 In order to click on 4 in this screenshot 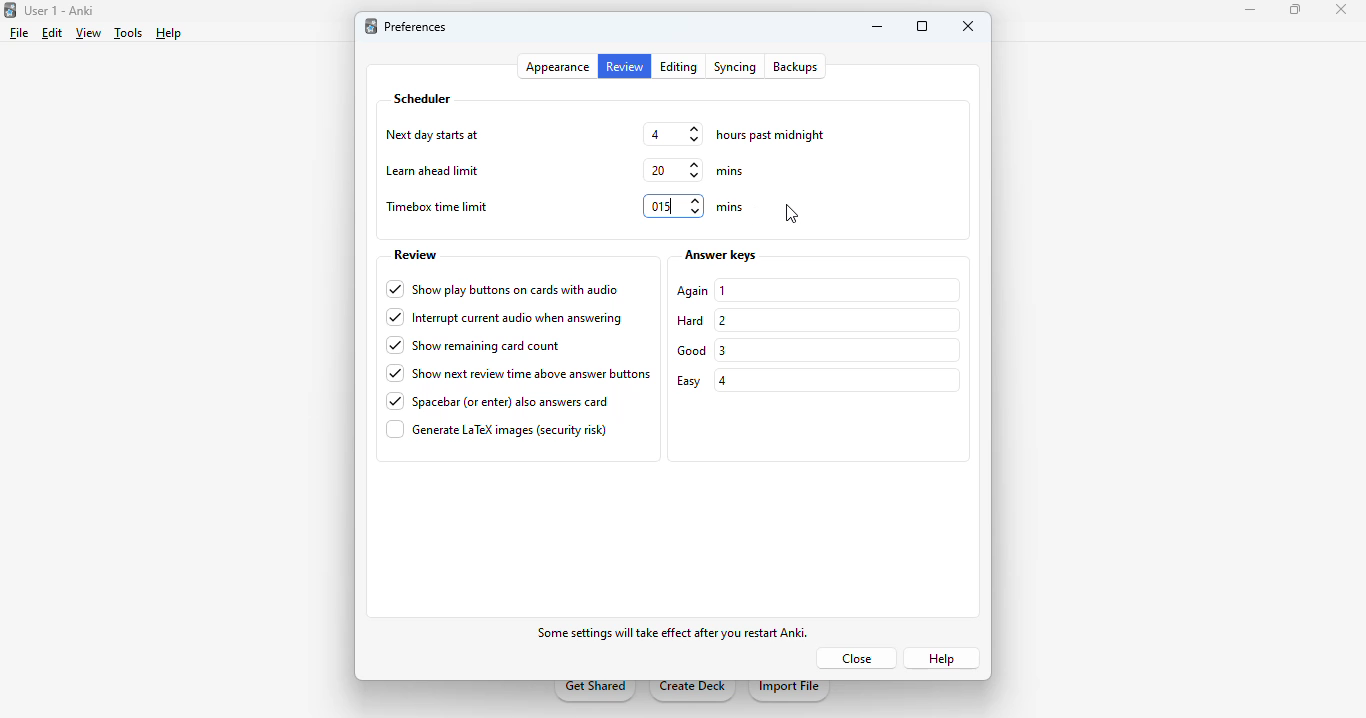, I will do `click(721, 381)`.